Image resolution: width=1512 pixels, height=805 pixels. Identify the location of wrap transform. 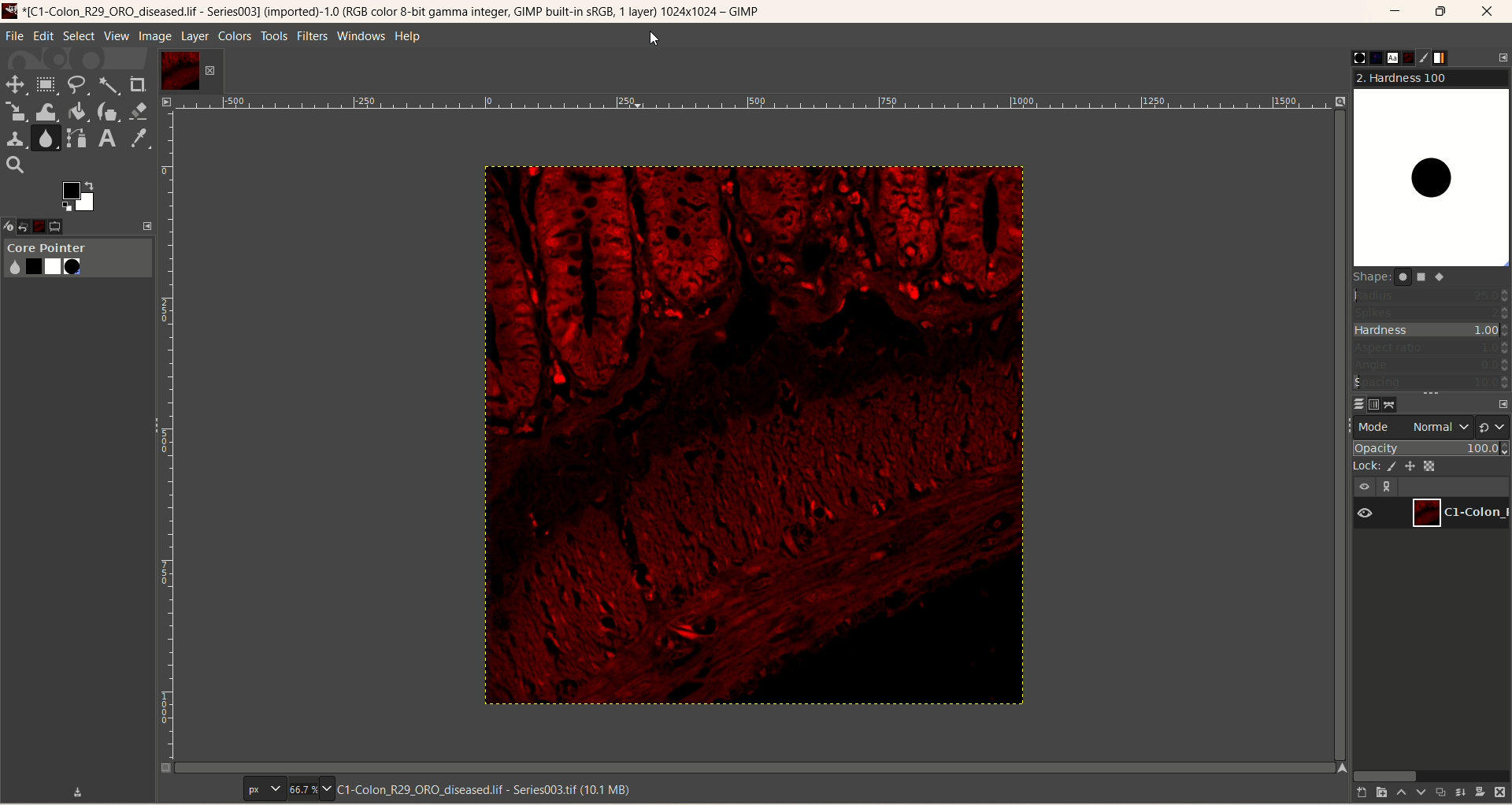
(45, 113).